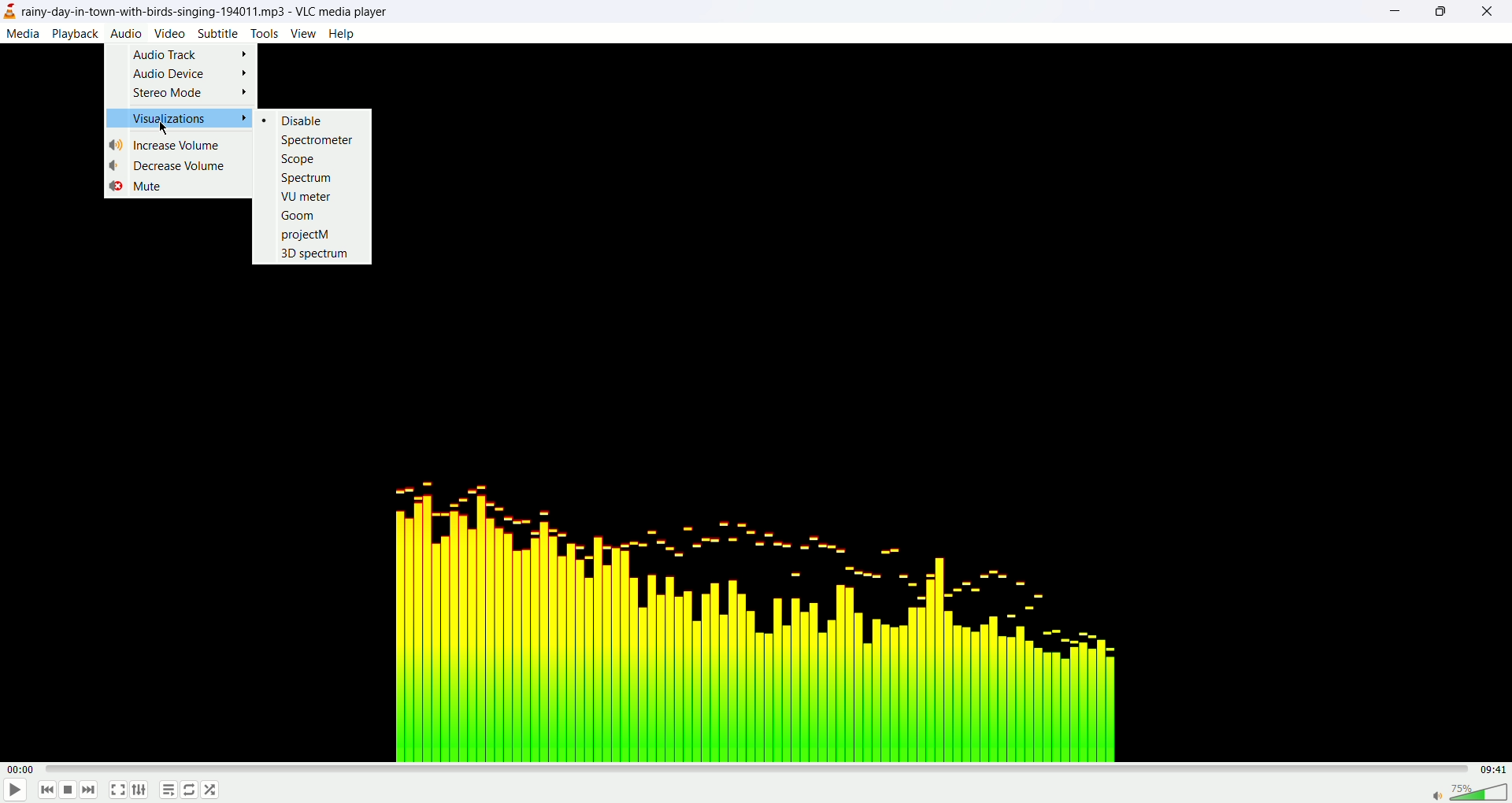 The image size is (1512, 803). What do you see at coordinates (190, 789) in the screenshot?
I see `loop` at bounding box center [190, 789].